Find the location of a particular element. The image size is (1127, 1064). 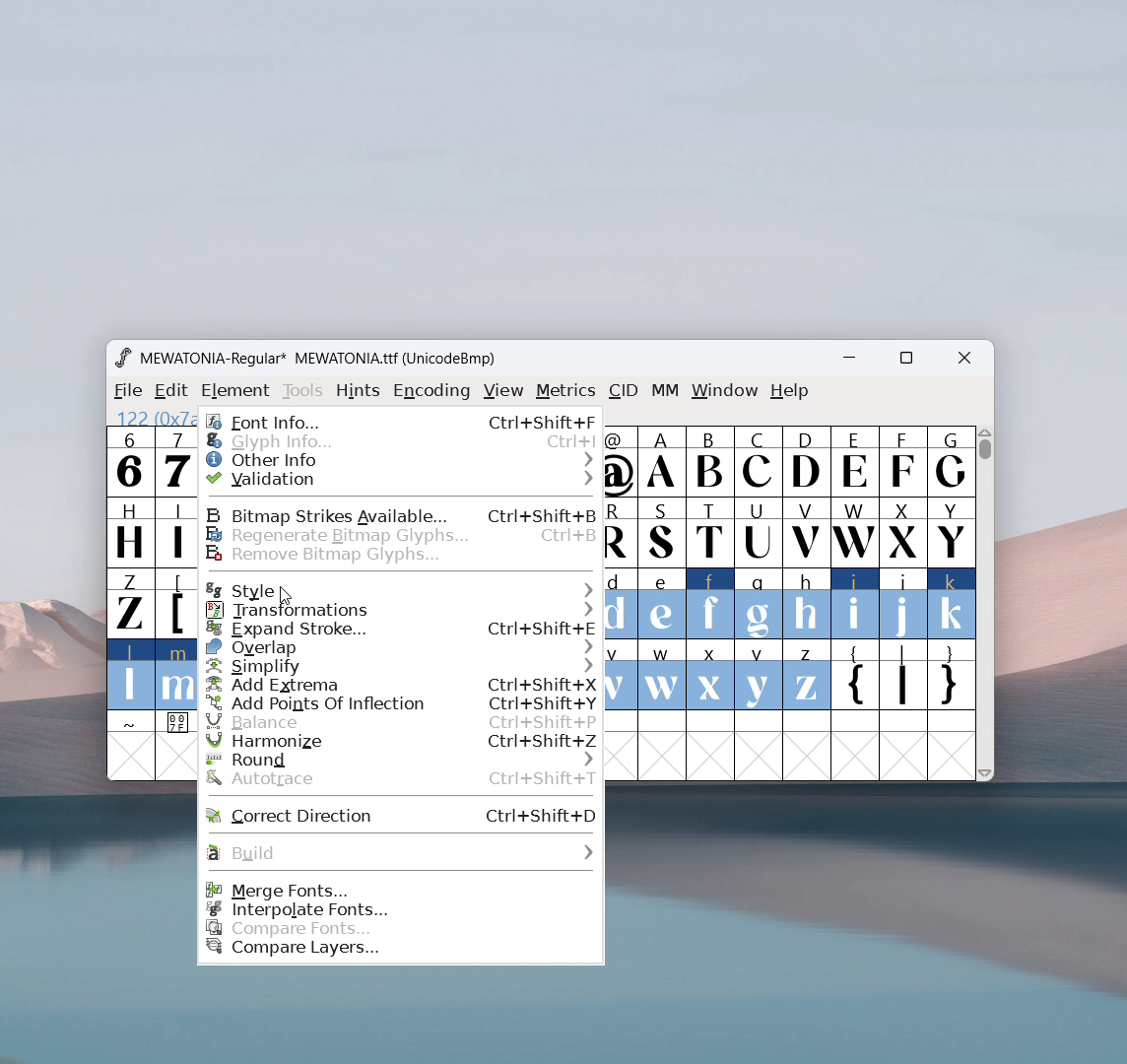

minimize is located at coordinates (856, 361).